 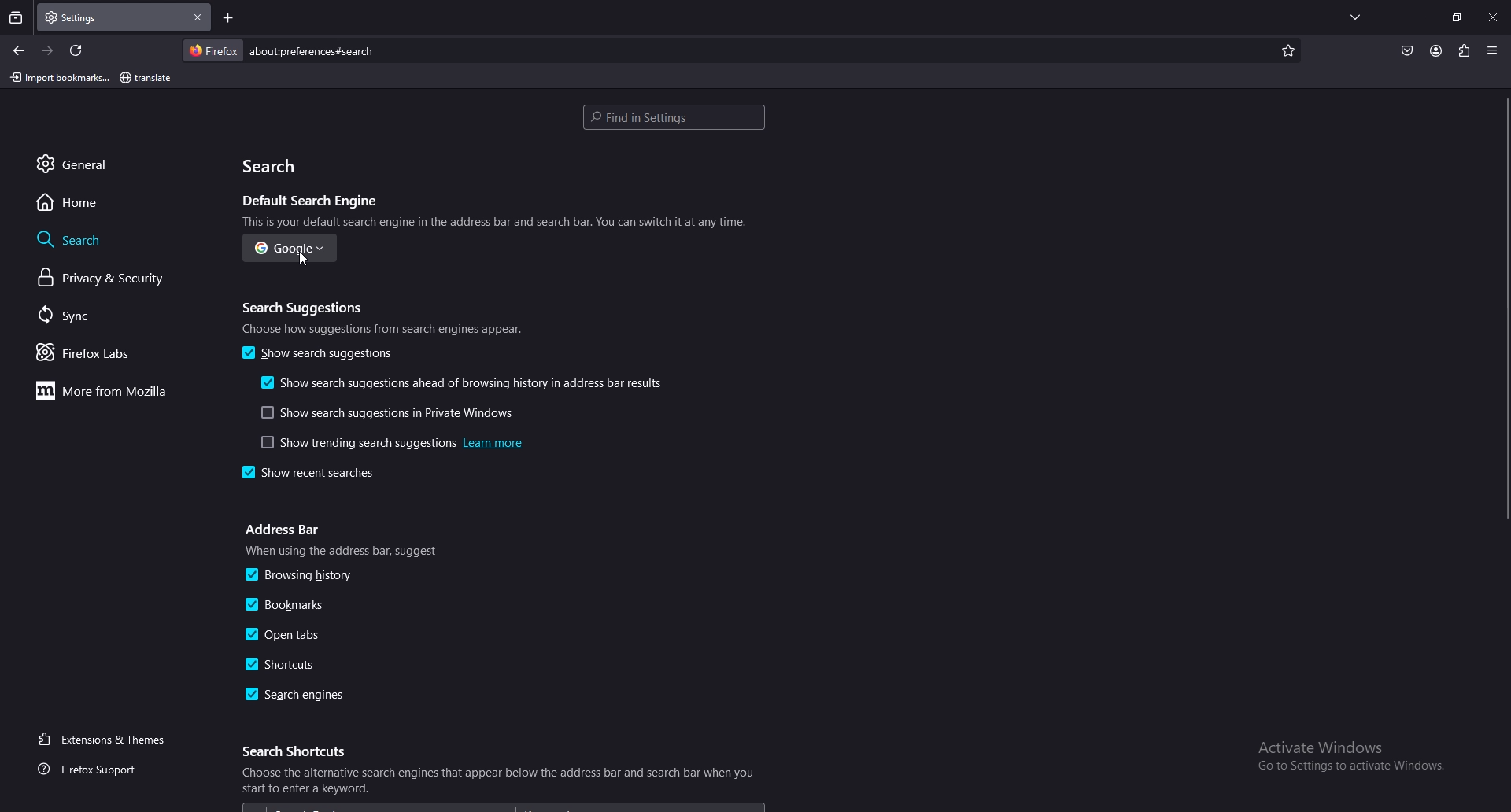 I want to click on open tabs, so click(x=291, y=637).